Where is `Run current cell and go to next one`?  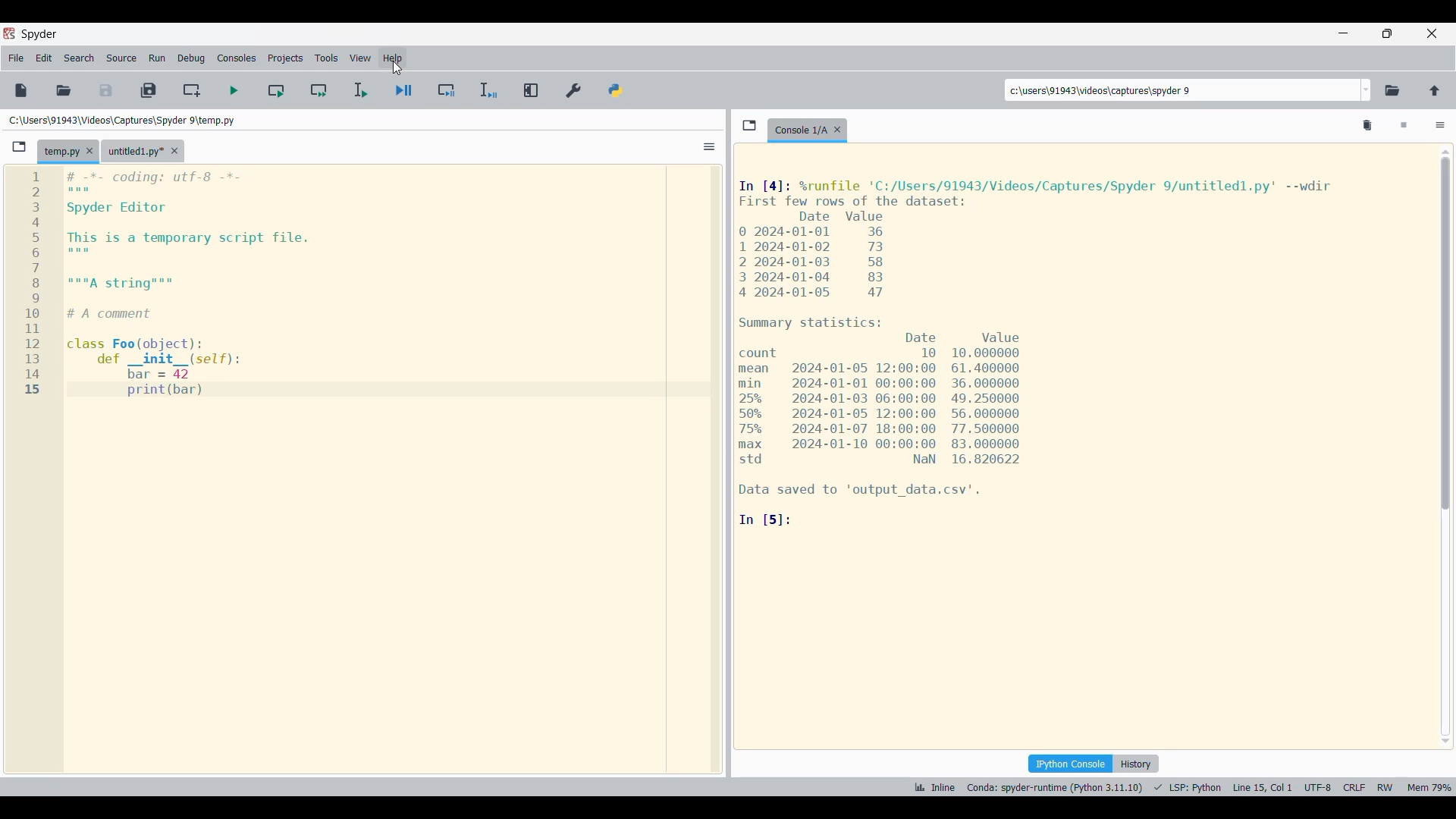 Run current cell and go to next one is located at coordinates (318, 91).